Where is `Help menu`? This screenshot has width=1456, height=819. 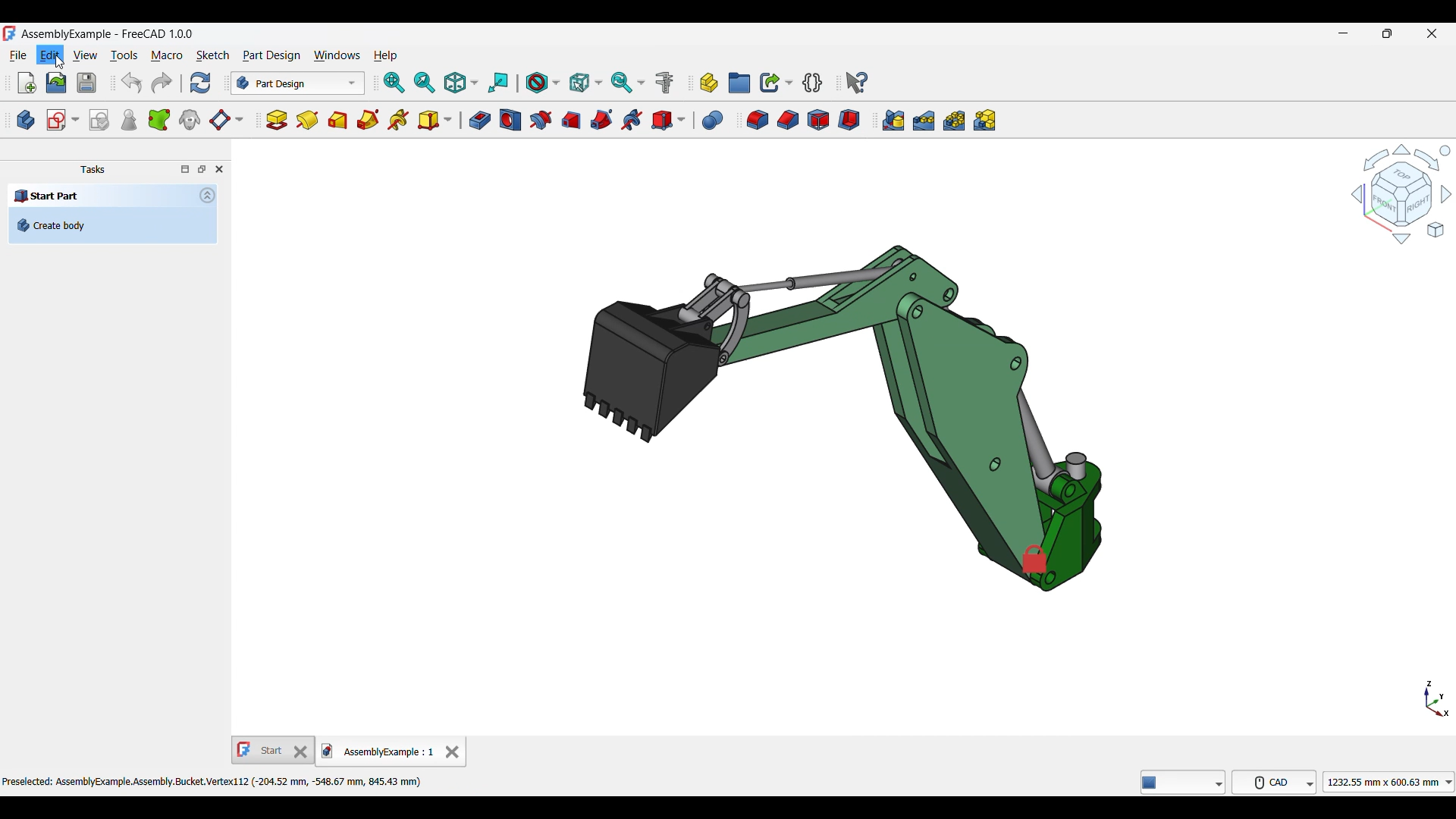
Help menu is located at coordinates (386, 56).